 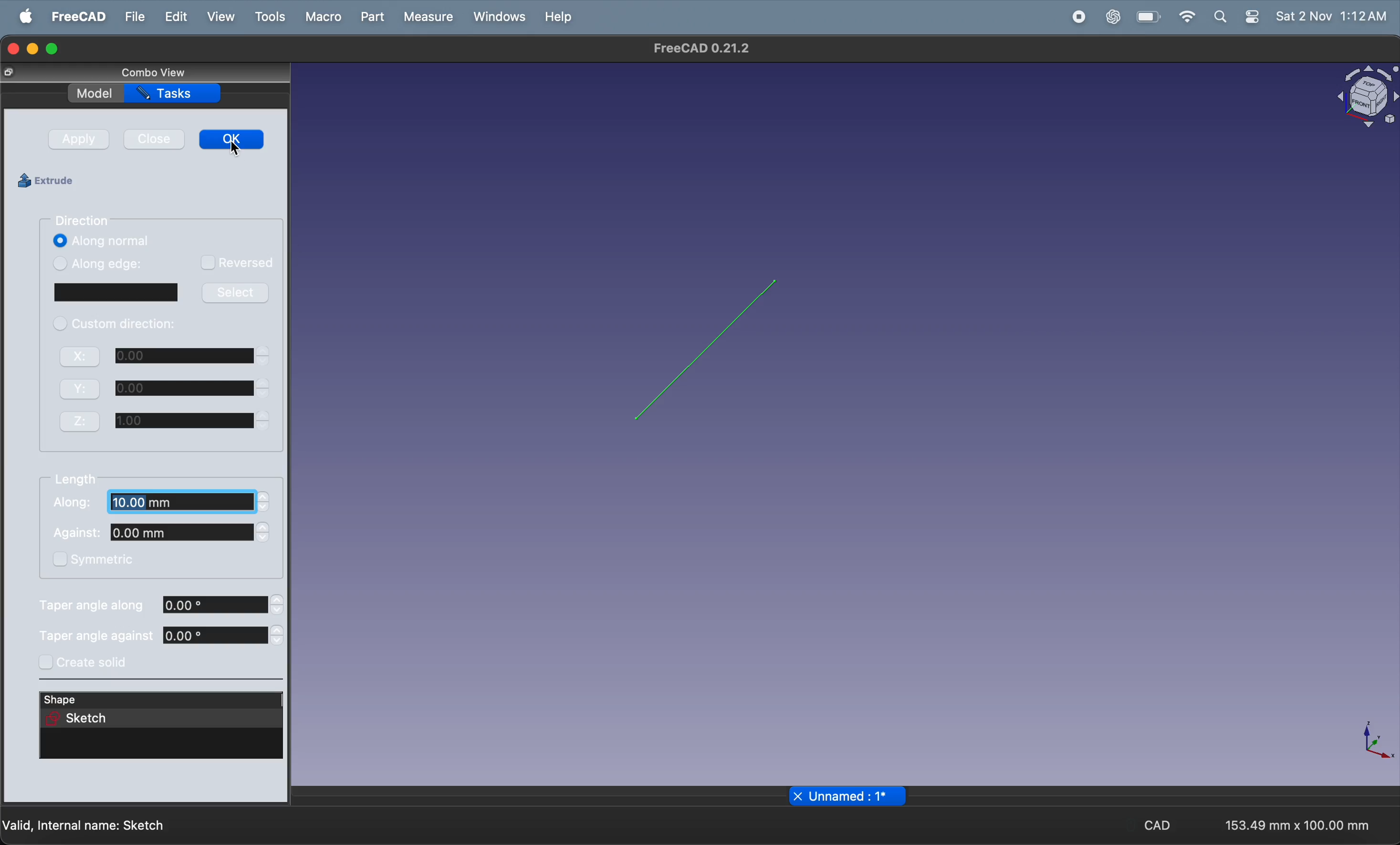 What do you see at coordinates (107, 265) in the screenshot?
I see `along edge` at bounding box center [107, 265].